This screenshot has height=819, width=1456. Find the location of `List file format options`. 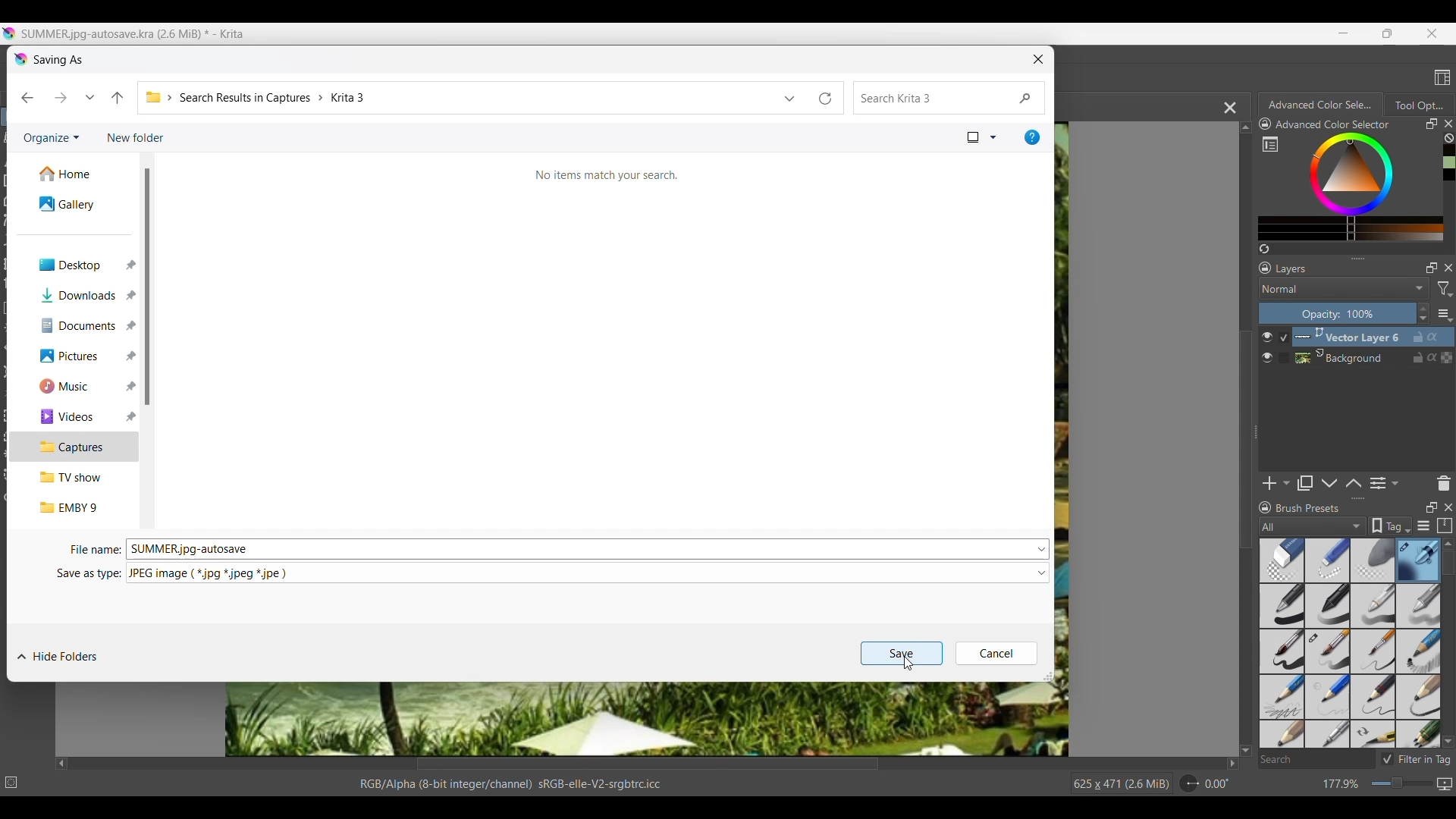

List file format options is located at coordinates (1042, 573).